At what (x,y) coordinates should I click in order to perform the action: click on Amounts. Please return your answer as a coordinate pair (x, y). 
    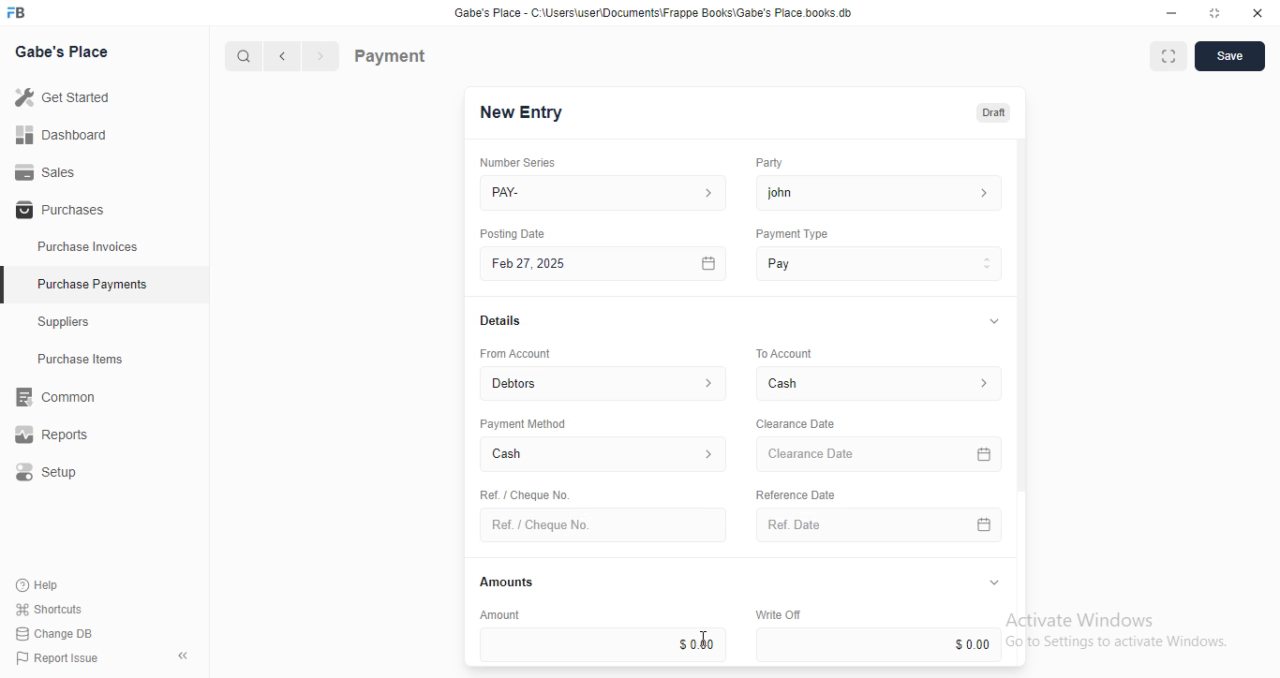
    Looking at the image, I should click on (502, 582).